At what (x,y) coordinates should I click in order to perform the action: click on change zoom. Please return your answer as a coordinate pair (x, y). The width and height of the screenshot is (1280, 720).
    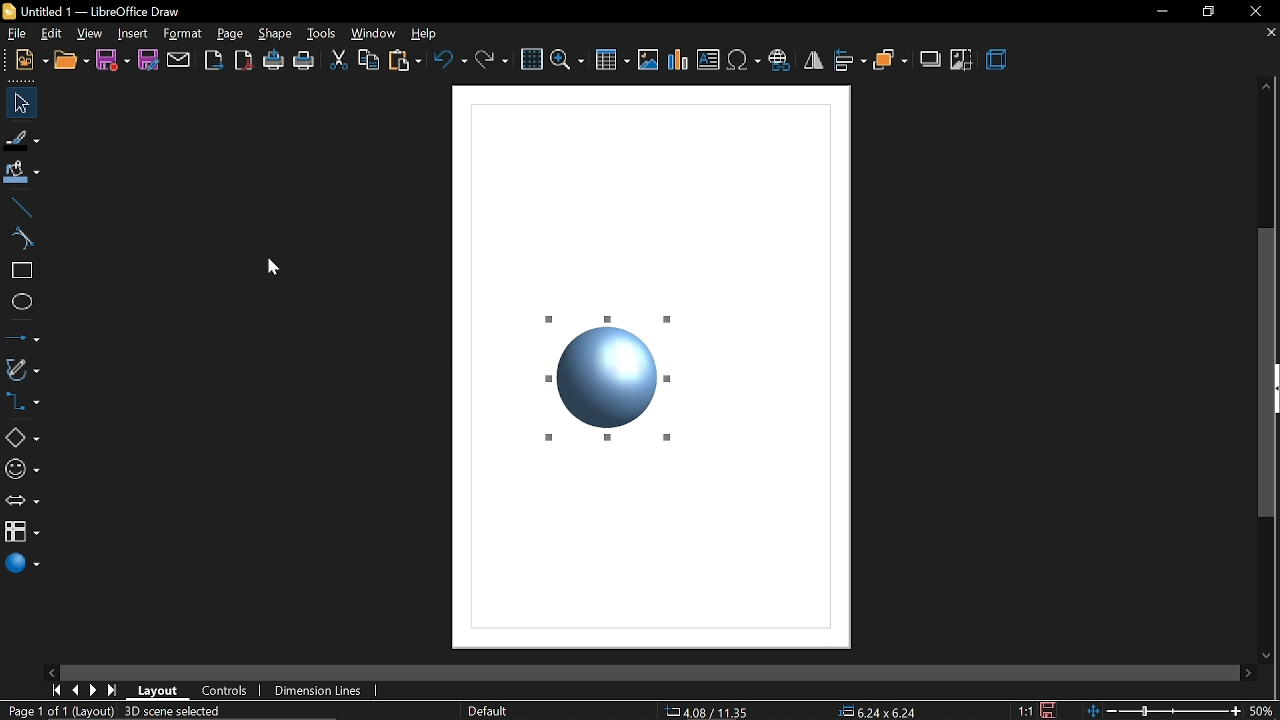
    Looking at the image, I should click on (1164, 712).